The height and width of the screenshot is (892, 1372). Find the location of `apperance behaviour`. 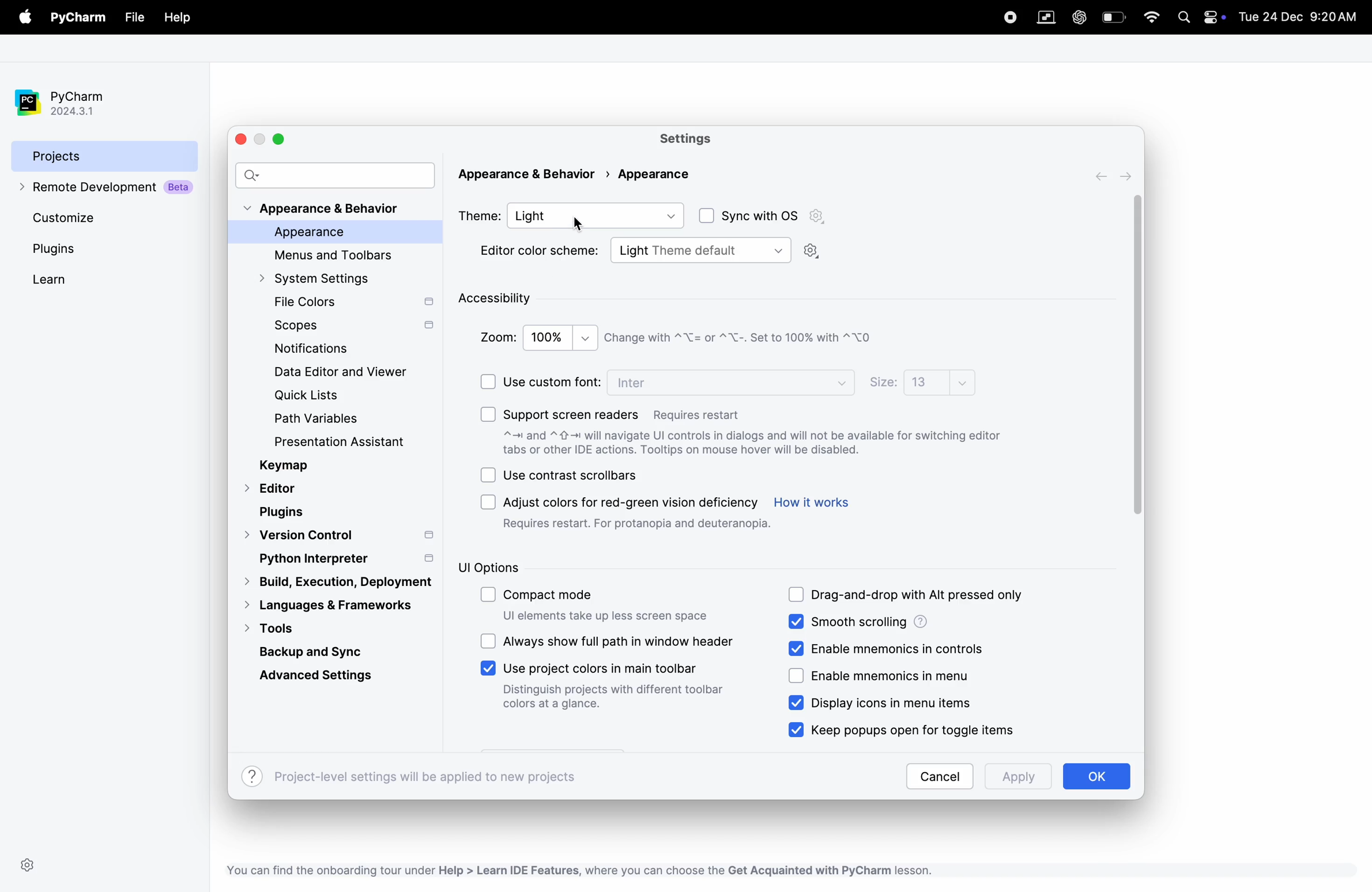

apperance behaviour is located at coordinates (325, 209).